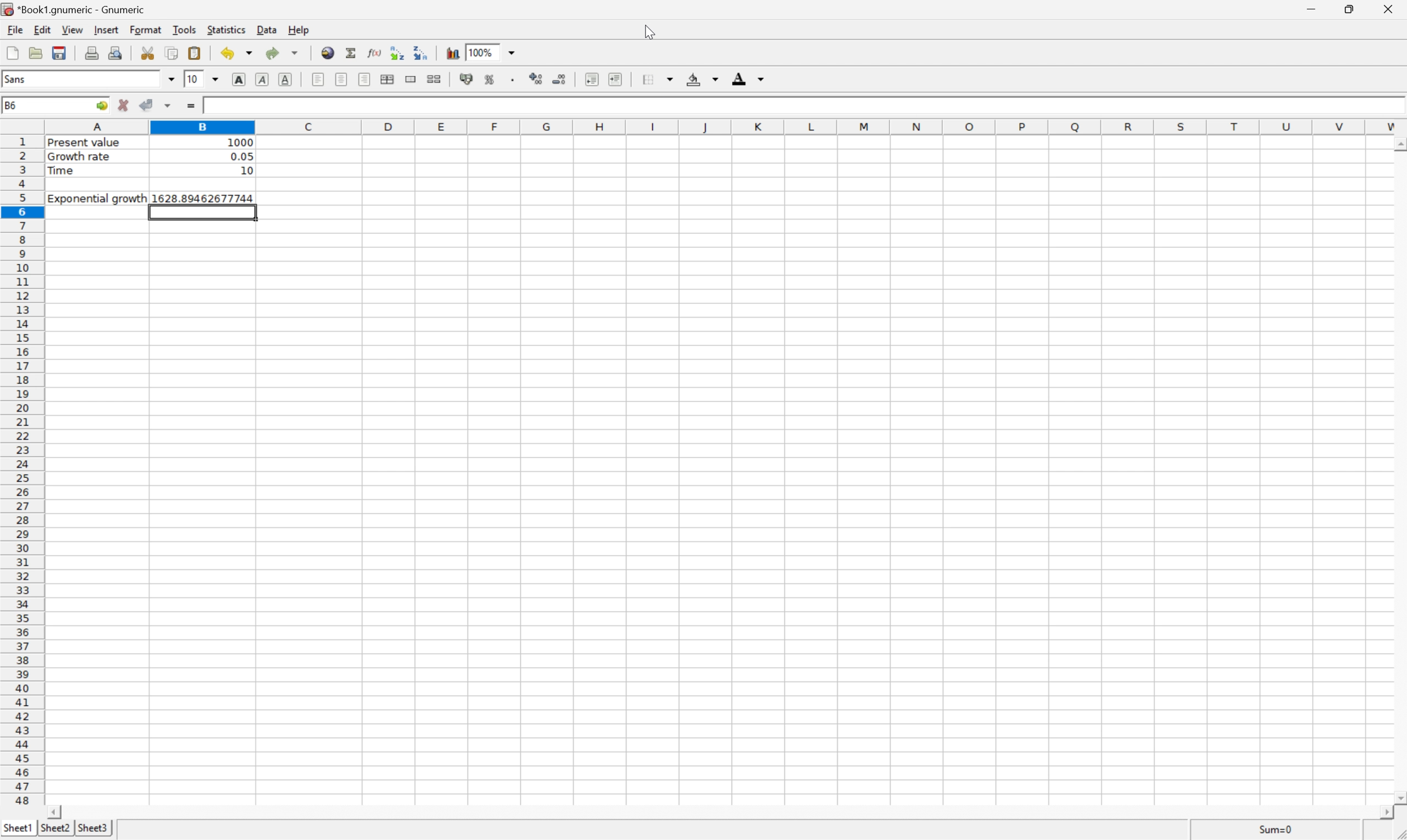 This screenshot has height=840, width=1407. Describe the element at coordinates (185, 30) in the screenshot. I see `Tools` at that location.